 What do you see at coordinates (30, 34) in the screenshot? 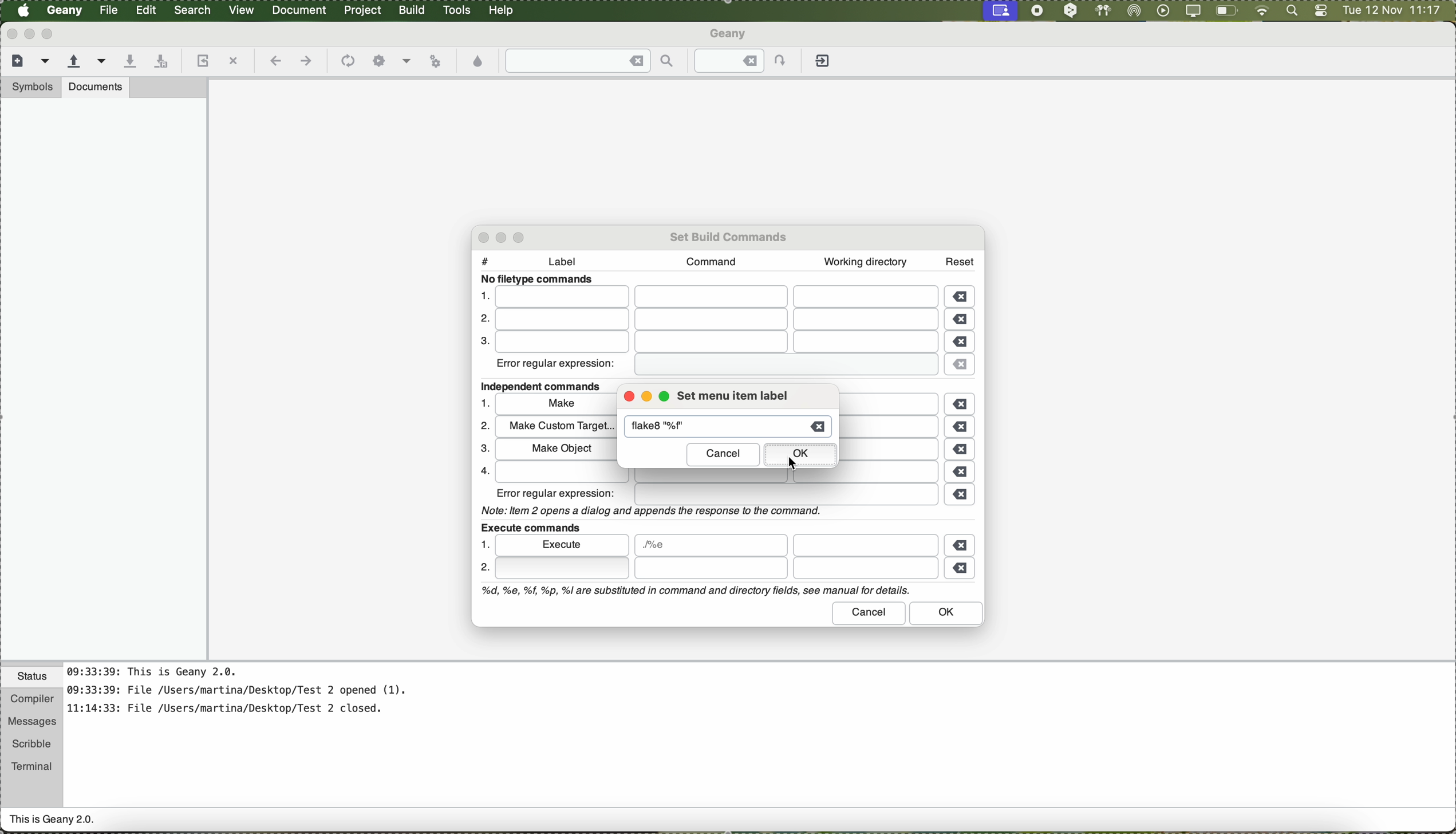
I see `minimize` at bounding box center [30, 34].